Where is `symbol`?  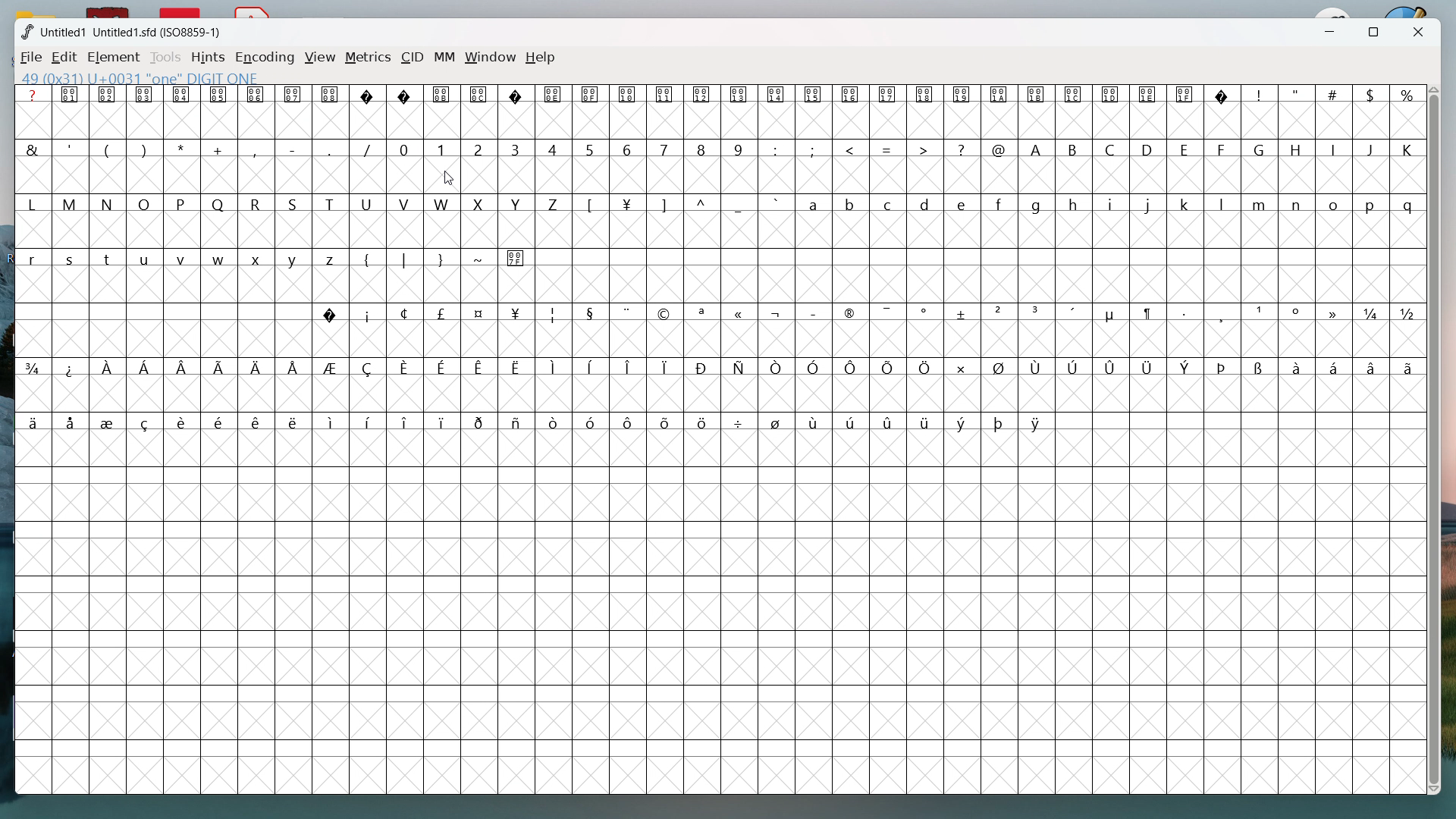
symbol is located at coordinates (741, 422).